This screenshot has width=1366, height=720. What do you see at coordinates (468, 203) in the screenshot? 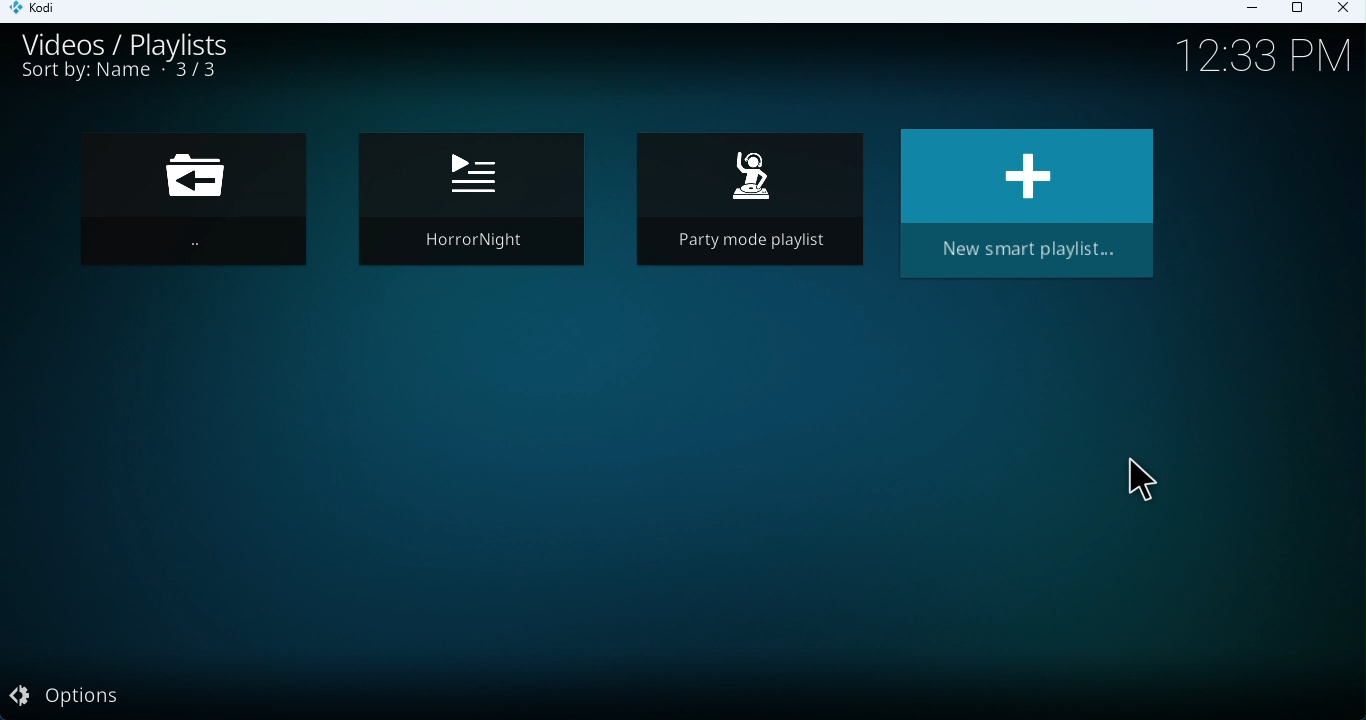
I see `Party mode playlist` at bounding box center [468, 203].